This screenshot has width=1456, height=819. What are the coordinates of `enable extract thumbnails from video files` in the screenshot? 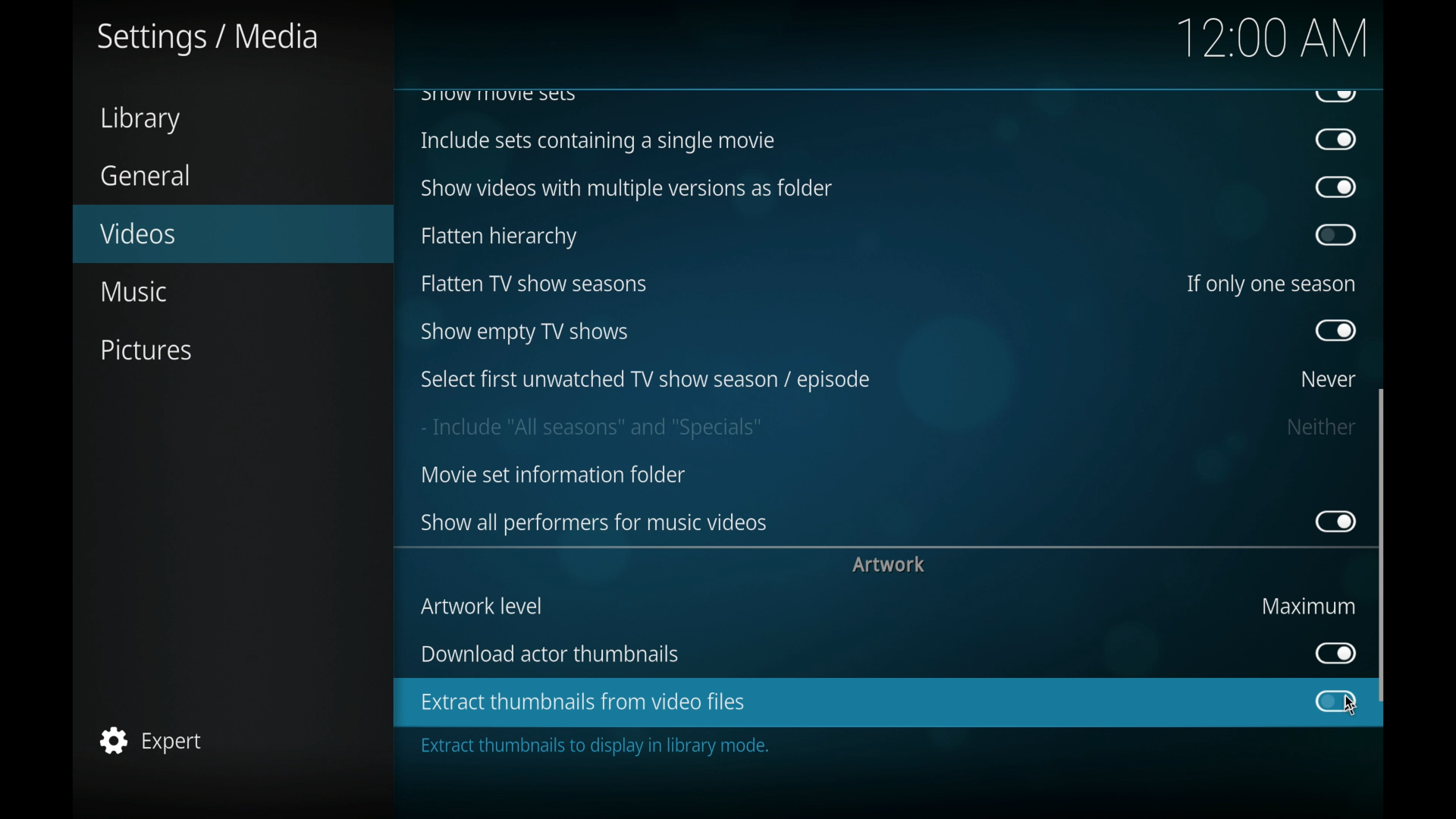 It's located at (582, 703).